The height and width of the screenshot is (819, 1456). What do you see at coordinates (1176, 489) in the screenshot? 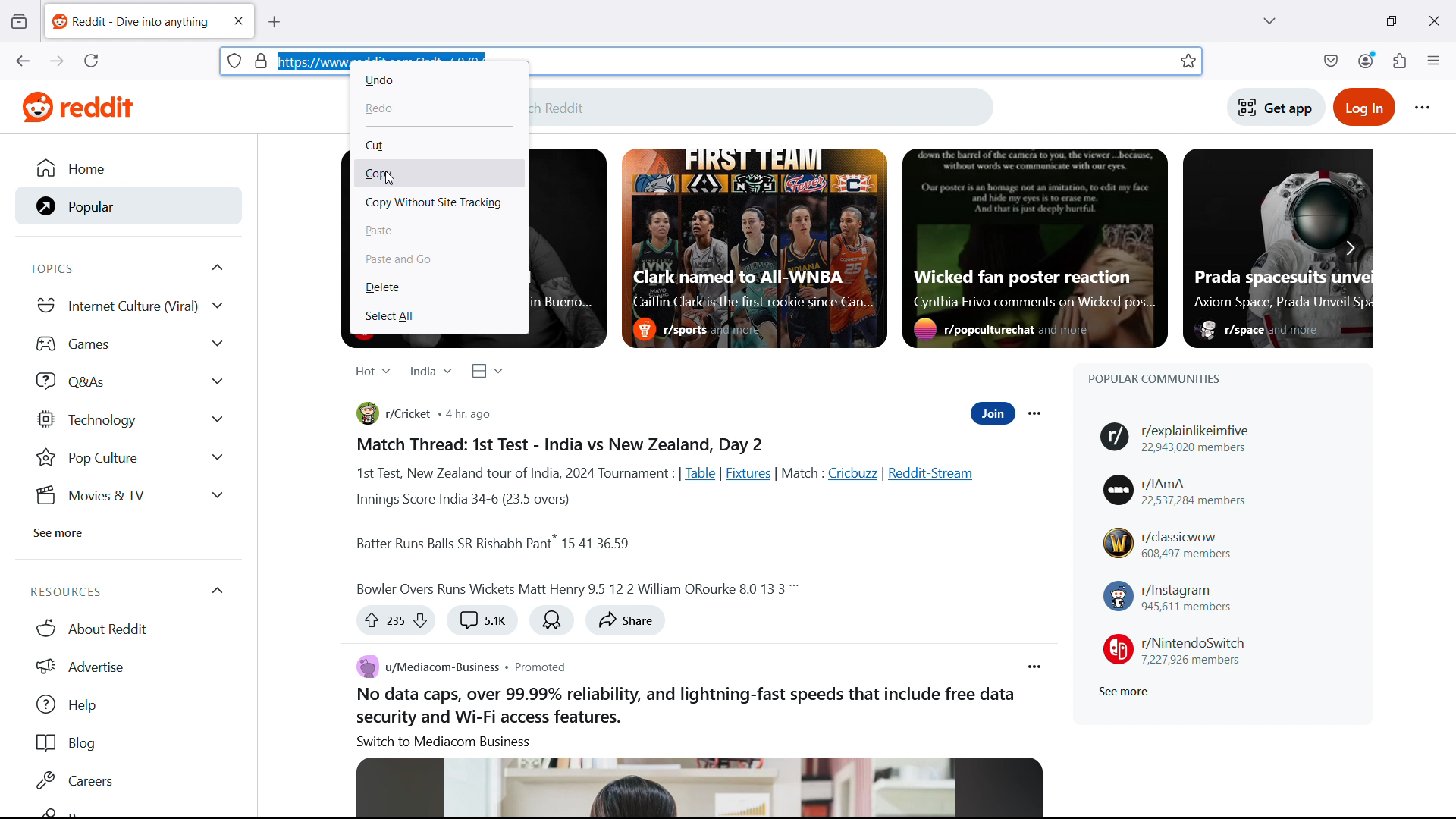
I see `r/IAmA` at bounding box center [1176, 489].